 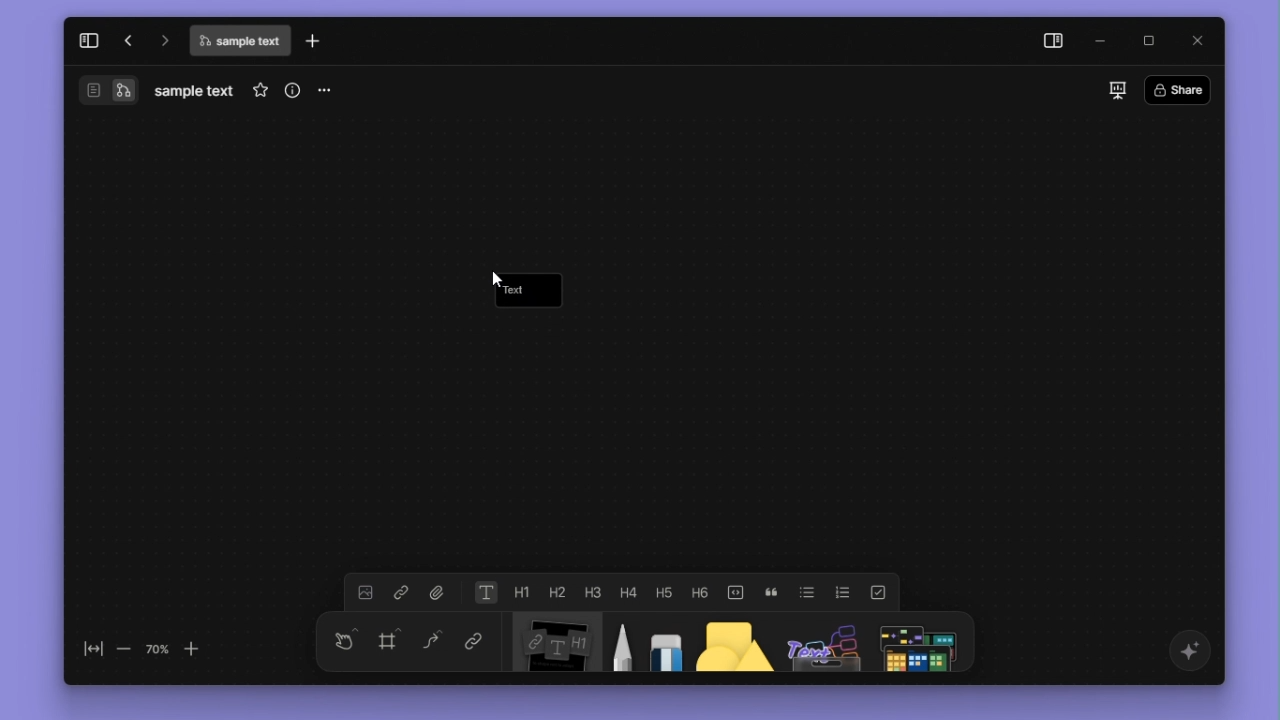 I want to click on heading 6, so click(x=702, y=591).